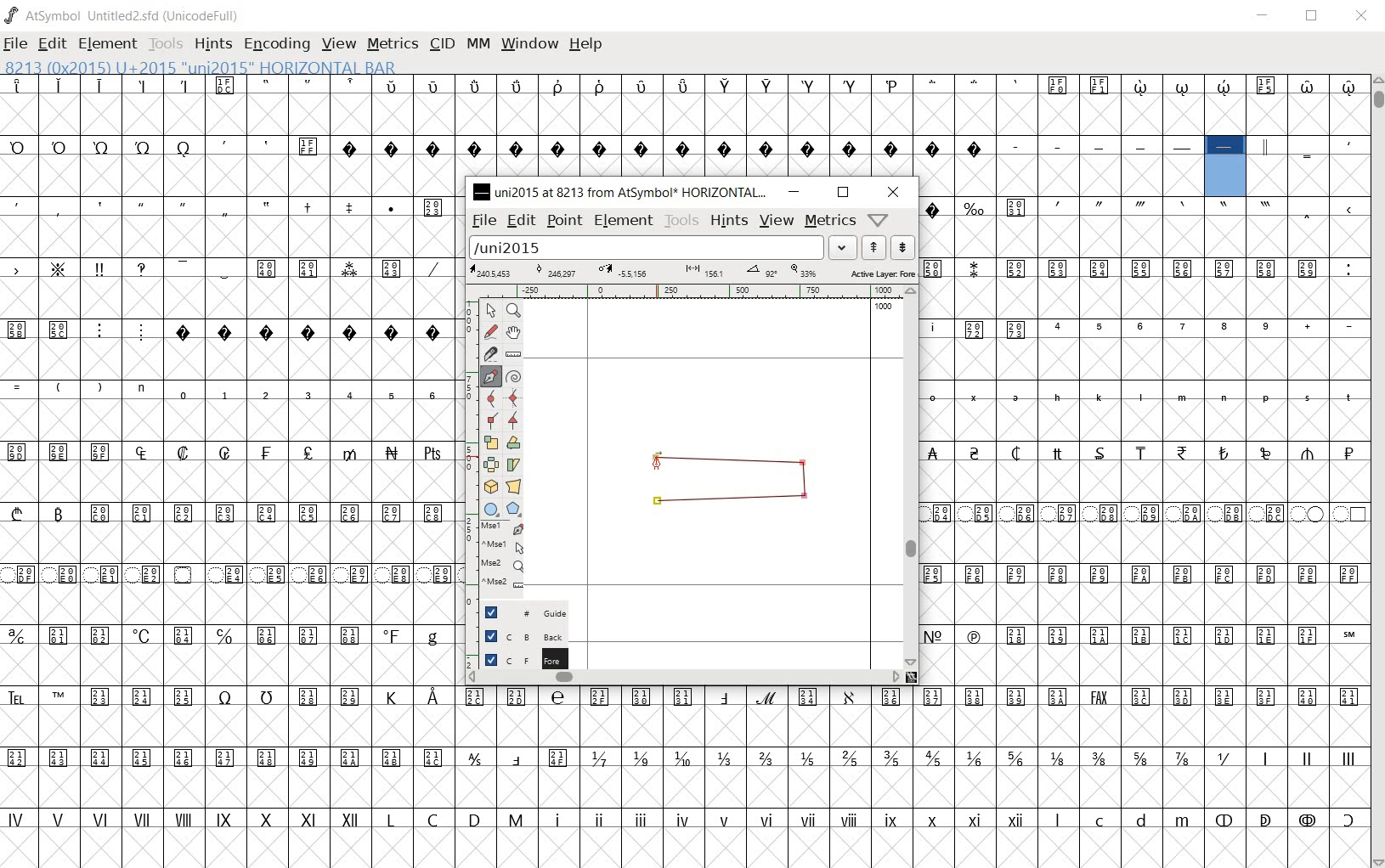  I want to click on RESTORE DOWN, so click(1314, 17).